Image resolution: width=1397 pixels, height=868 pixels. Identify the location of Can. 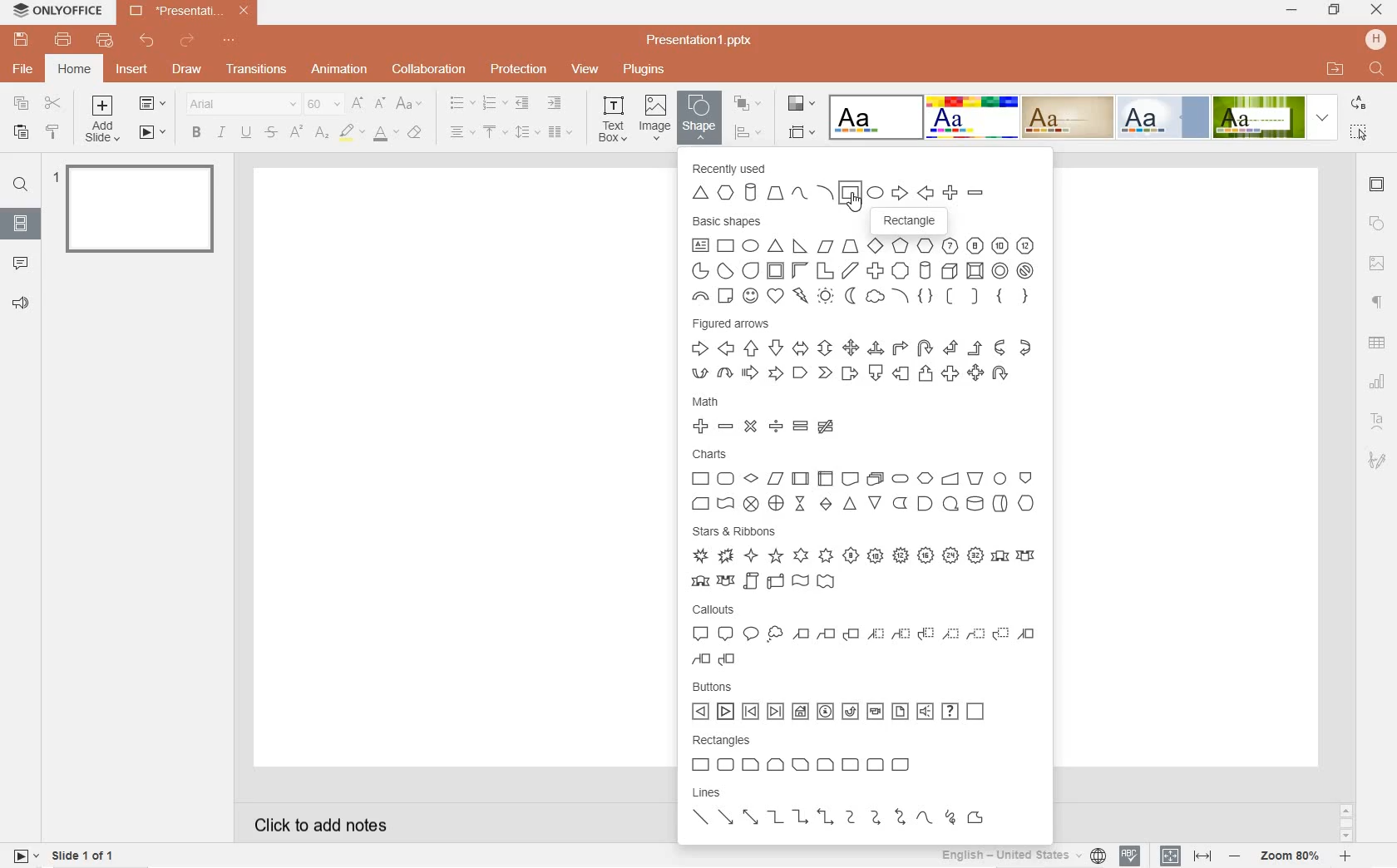
(924, 271).